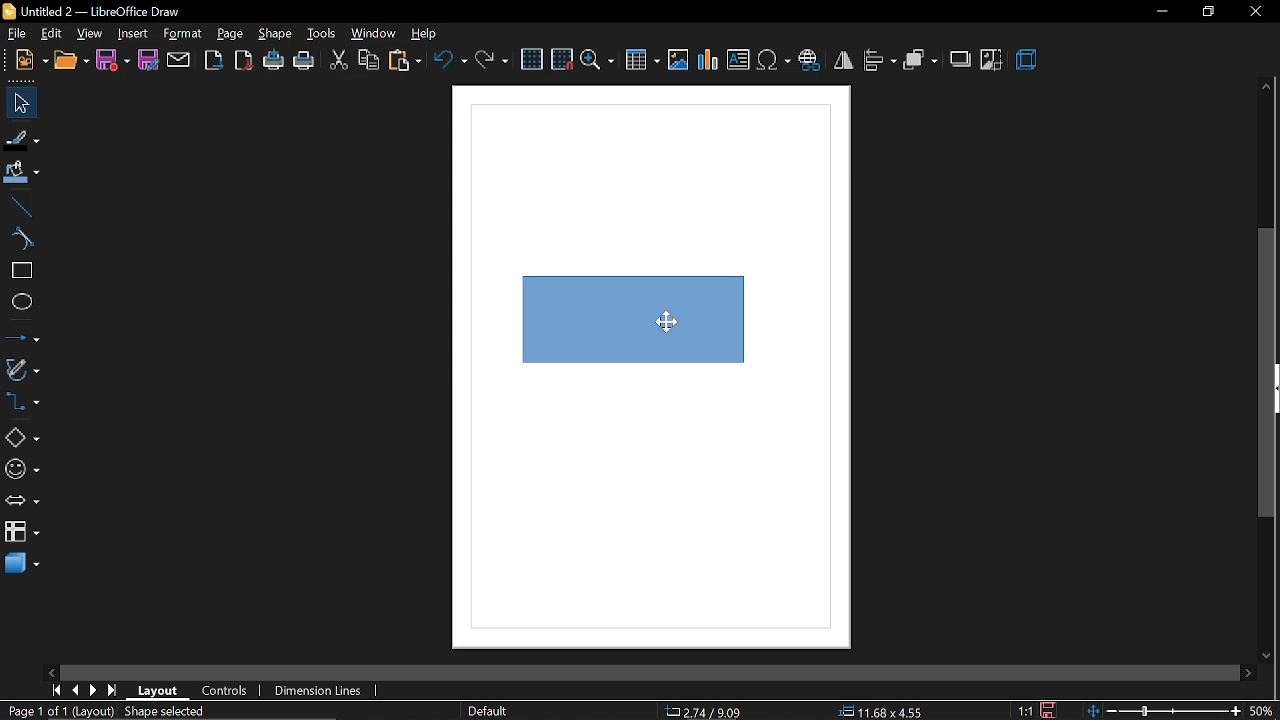 Image resolution: width=1280 pixels, height=720 pixels. What do you see at coordinates (50, 671) in the screenshot?
I see `move left` at bounding box center [50, 671].